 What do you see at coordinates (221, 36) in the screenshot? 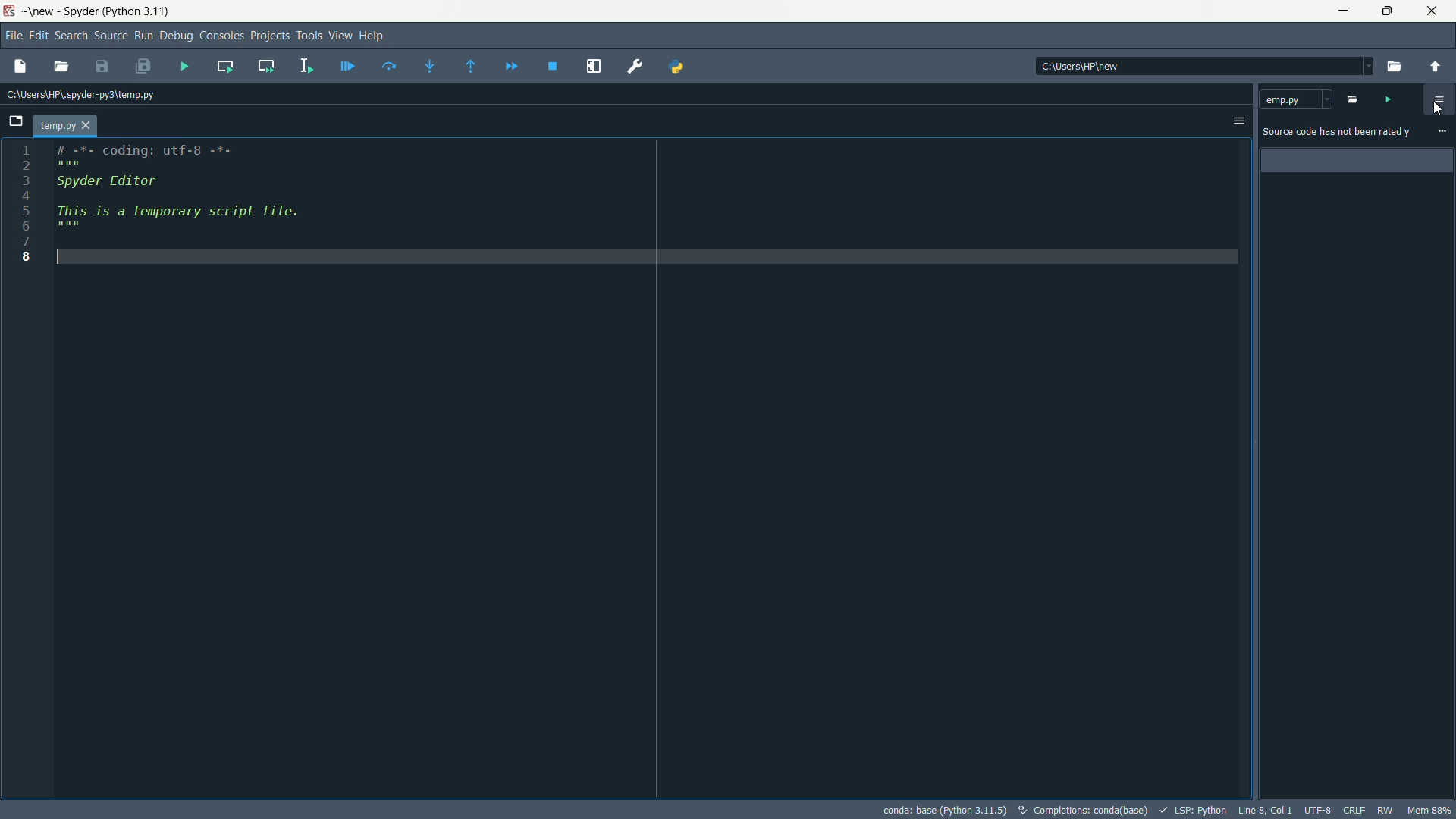
I see `consoles menu` at bounding box center [221, 36].